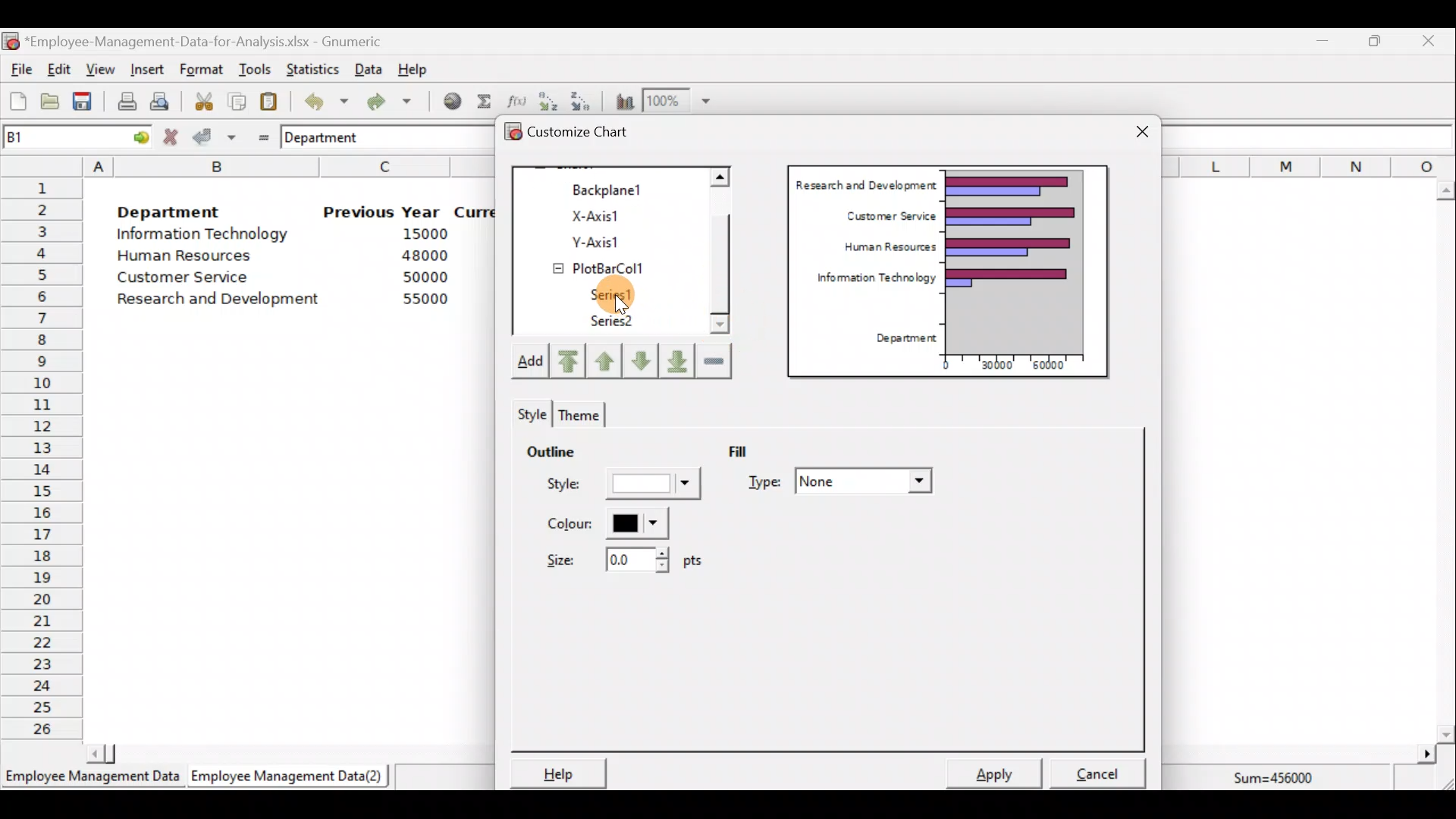 Image resolution: width=1456 pixels, height=819 pixels. I want to click on Department, so click(901, 339).